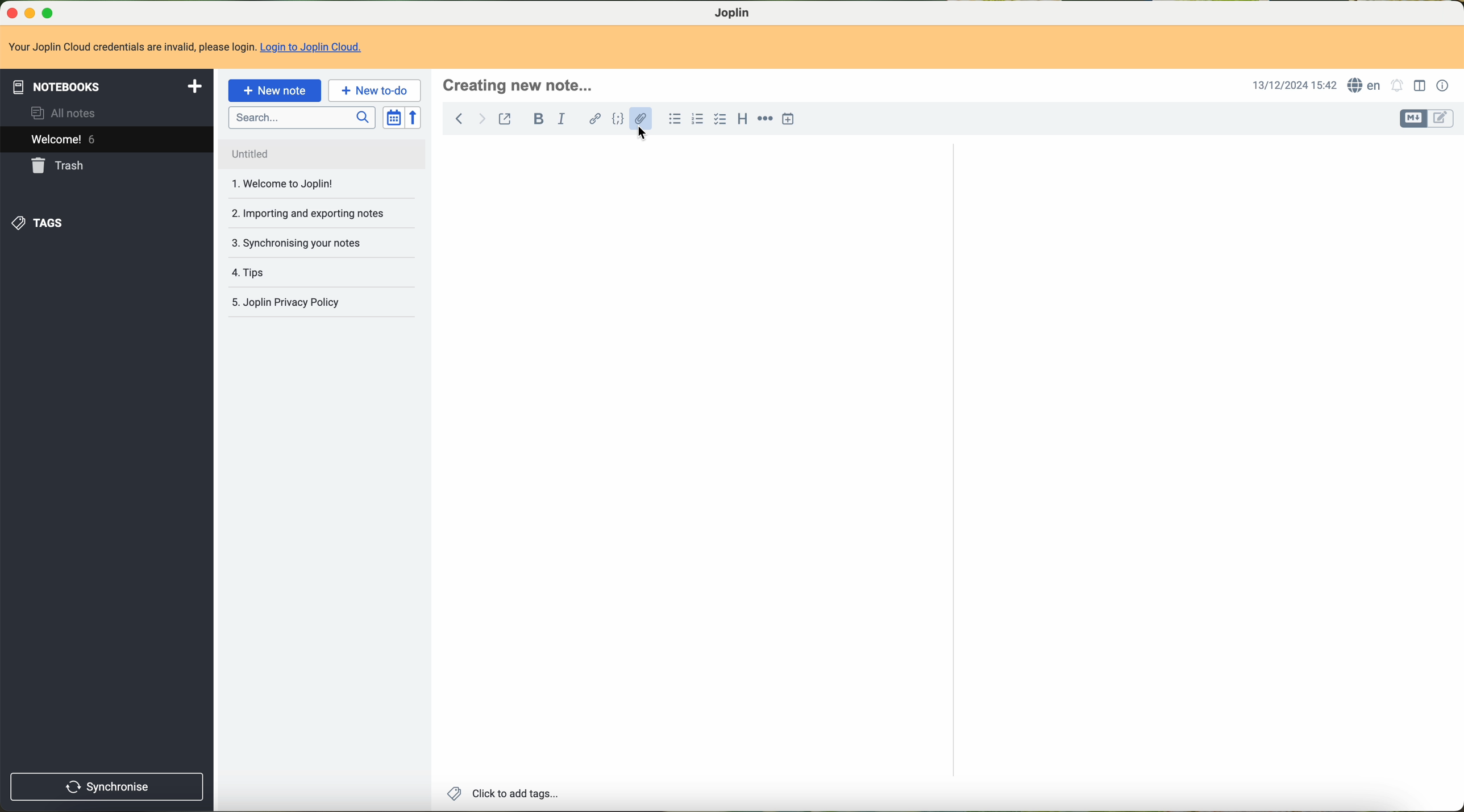 This screenshot has width=1464, height=812. Describe the element at coordinates (617, 120) in the screenshot. I see `code` at that location.